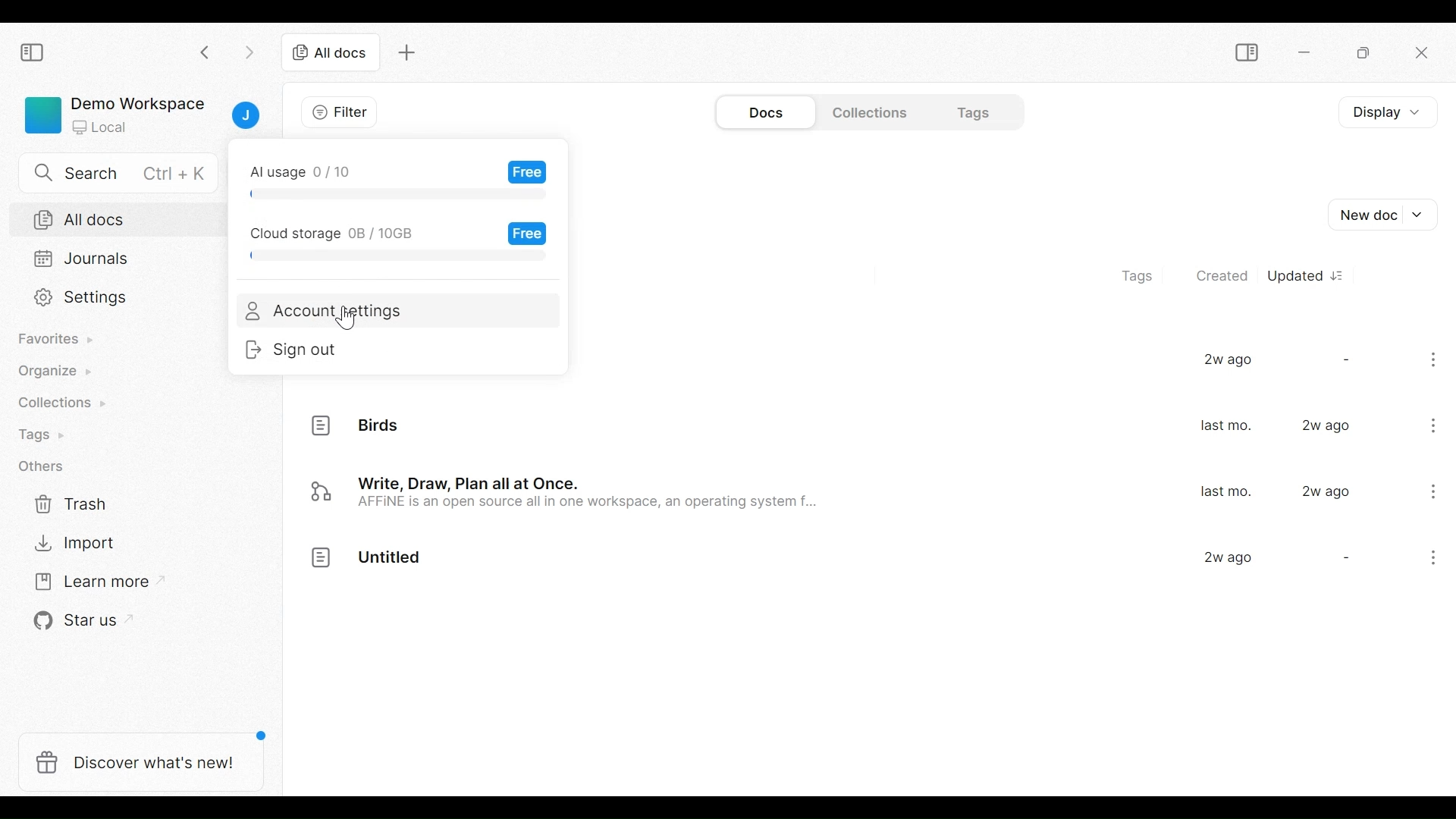 The image size is (1456, 819). I want to click on Add New document, so click(1385, 215).